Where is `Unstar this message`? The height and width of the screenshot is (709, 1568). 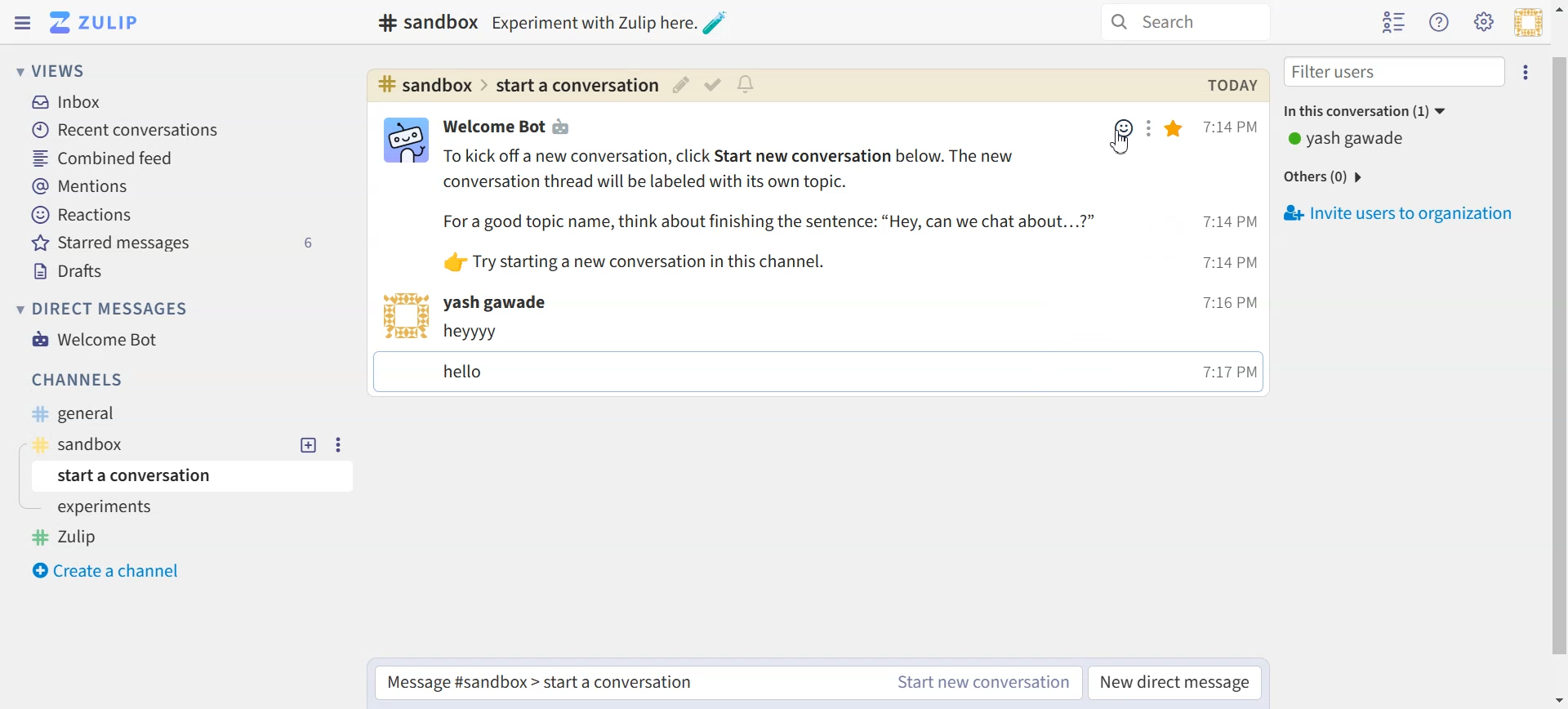
Unstar this message is located at coordinates (1175, 129).